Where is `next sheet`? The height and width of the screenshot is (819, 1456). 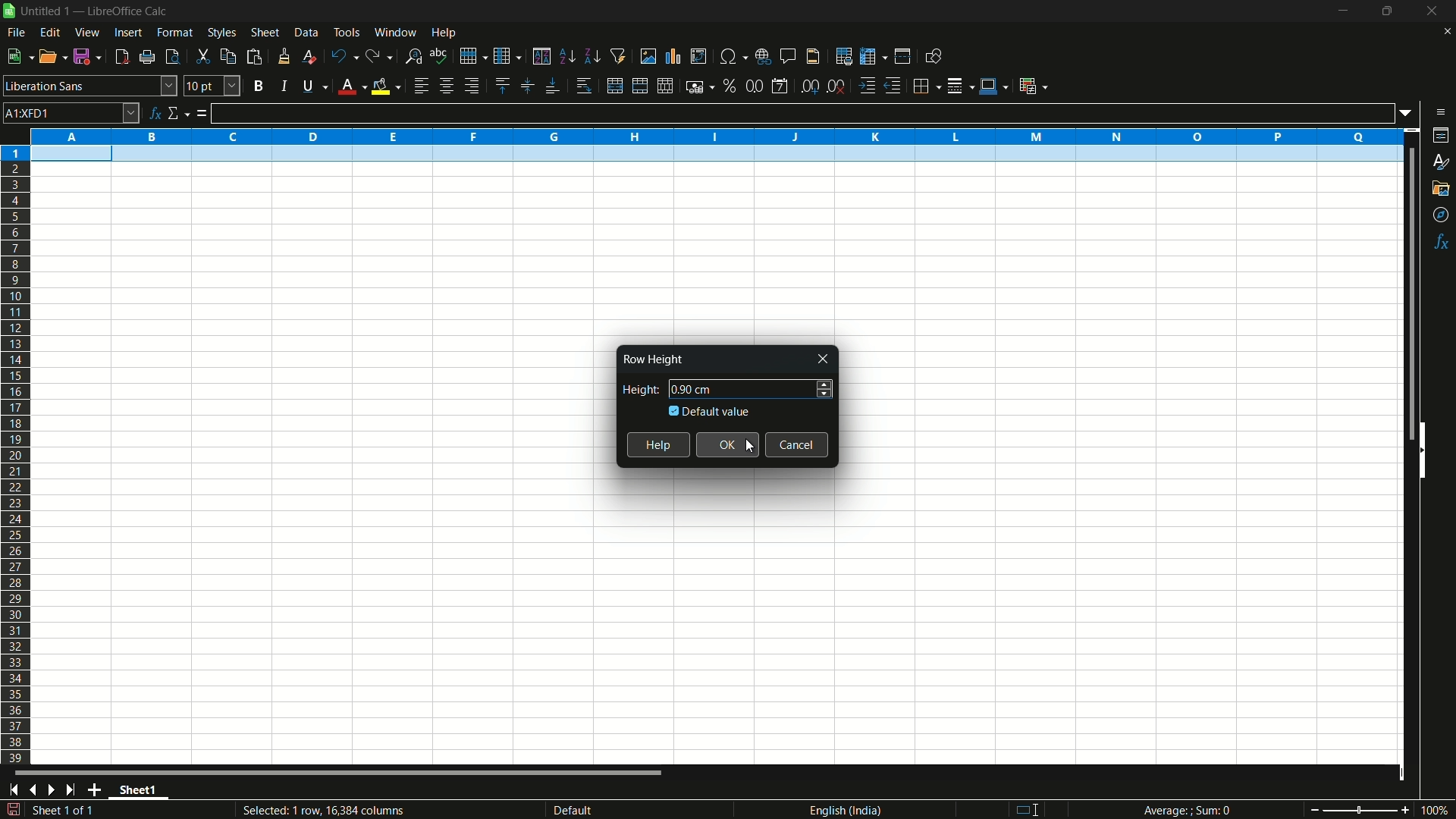 next sheet is located at coordinates (55, 789).